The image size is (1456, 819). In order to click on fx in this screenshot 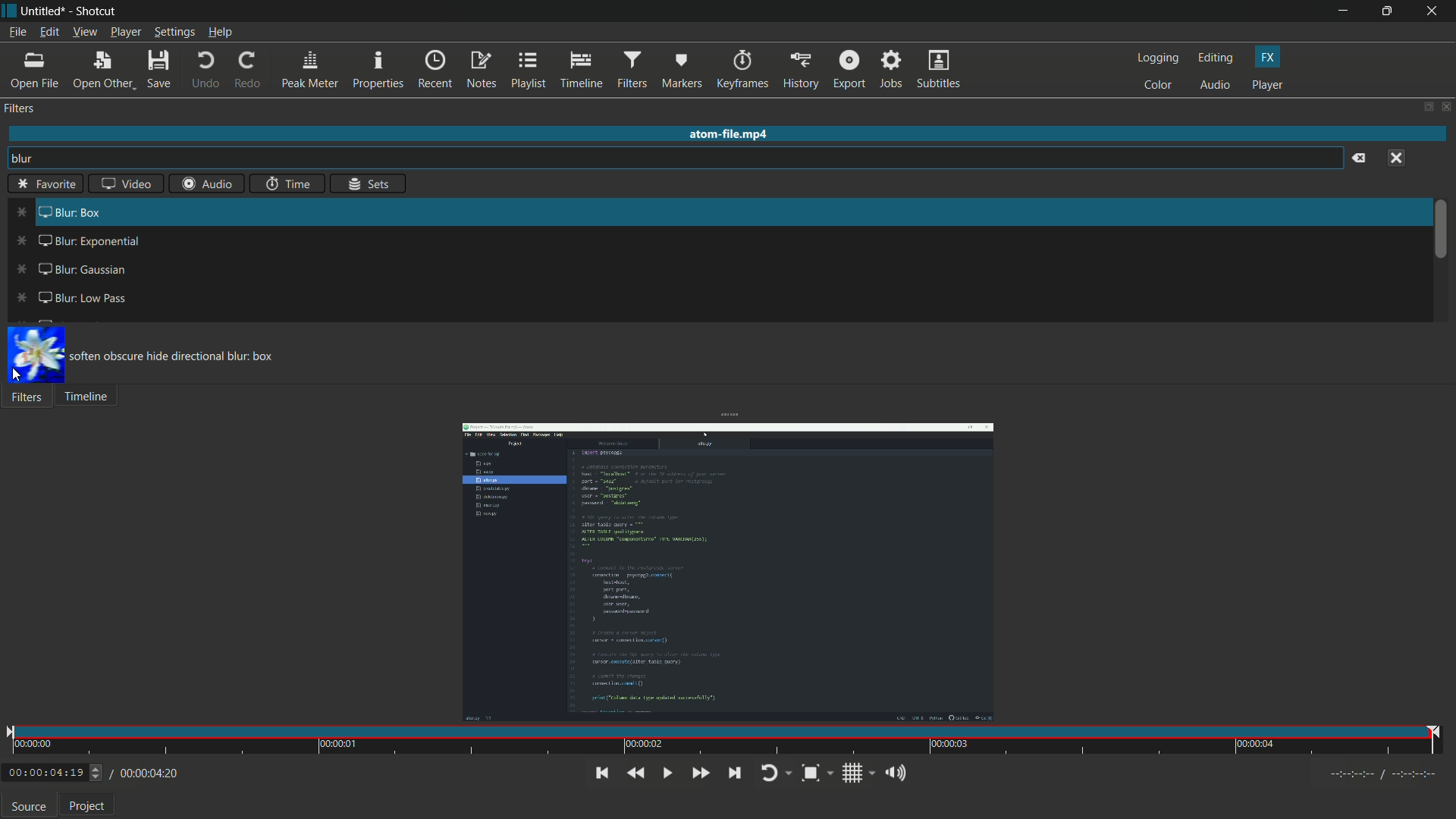, I will do `click(1268, 58)`.